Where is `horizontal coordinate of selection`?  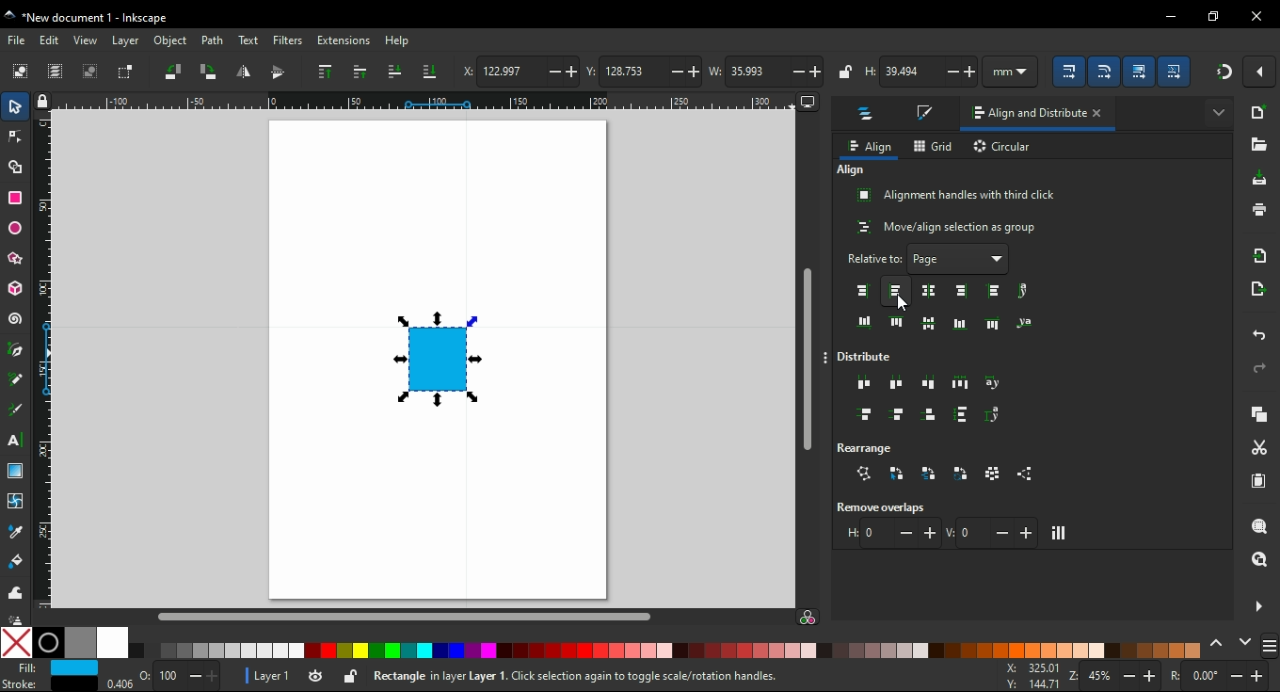 horizontal coordinate of selection is located at coordinates (519, 72).